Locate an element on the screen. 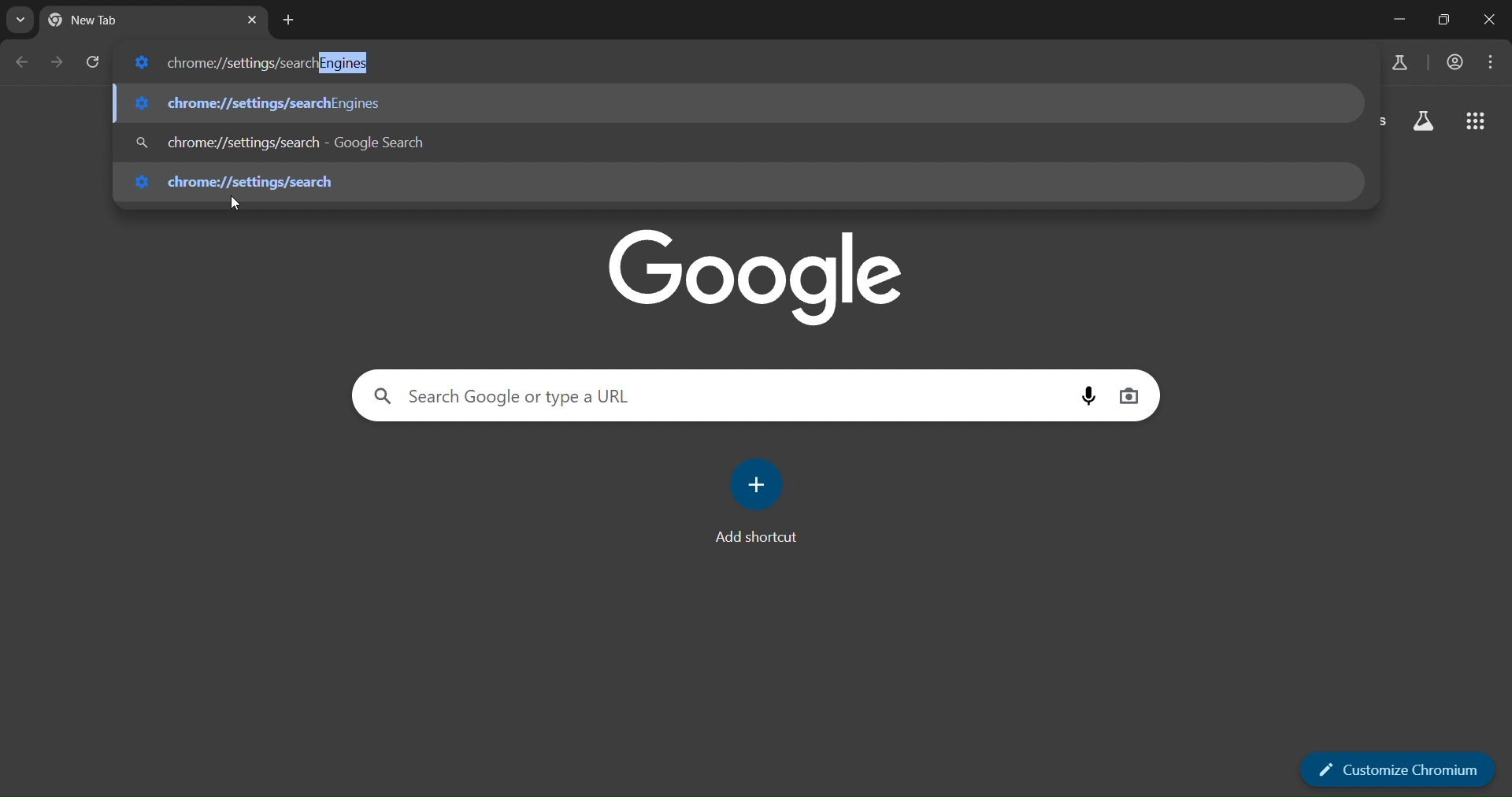 This screenshot has width=1512, height=797. cursor is located at coordinates (235, 204).